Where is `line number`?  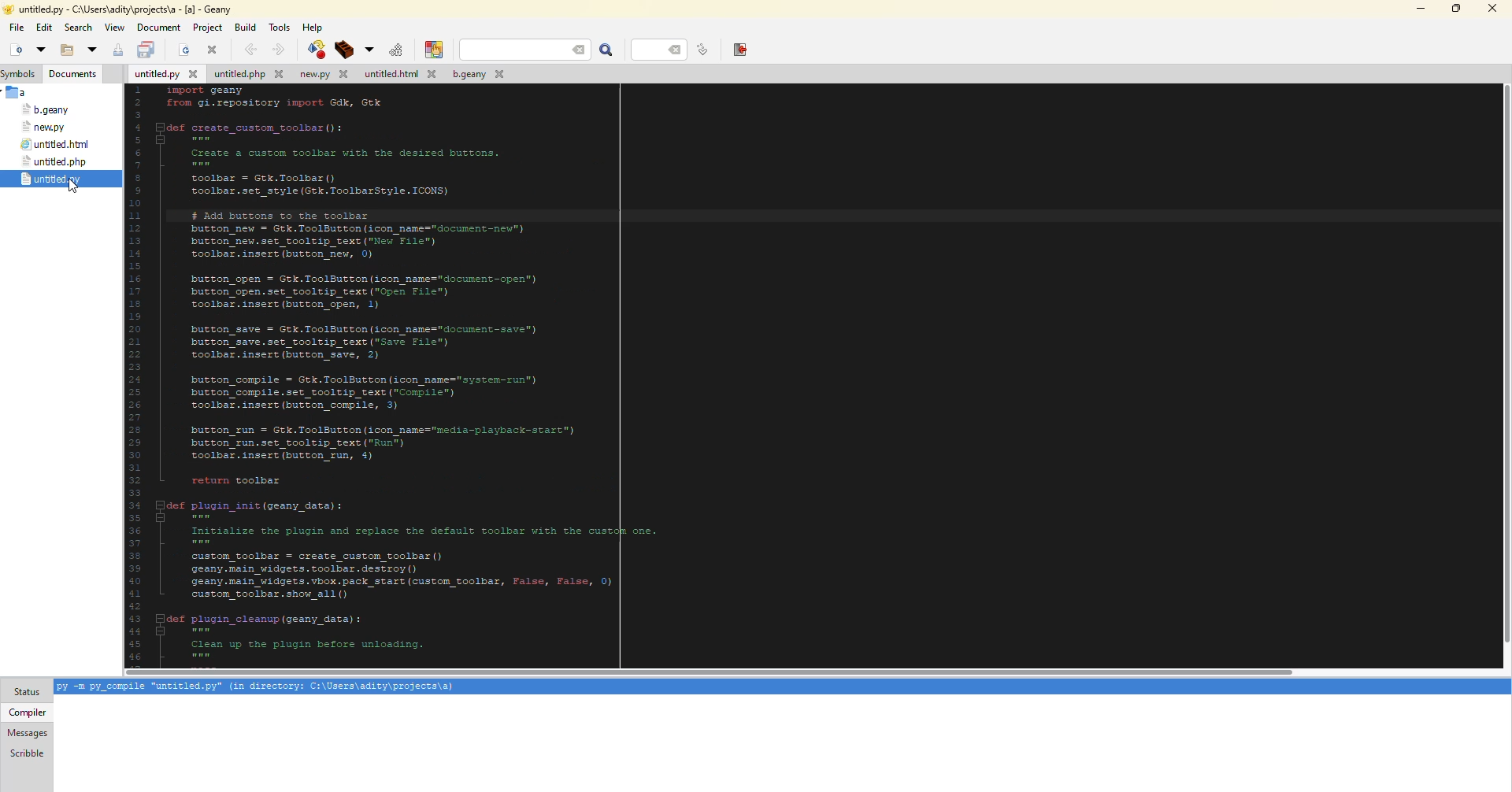 line number is located at coordinates (699, 50).